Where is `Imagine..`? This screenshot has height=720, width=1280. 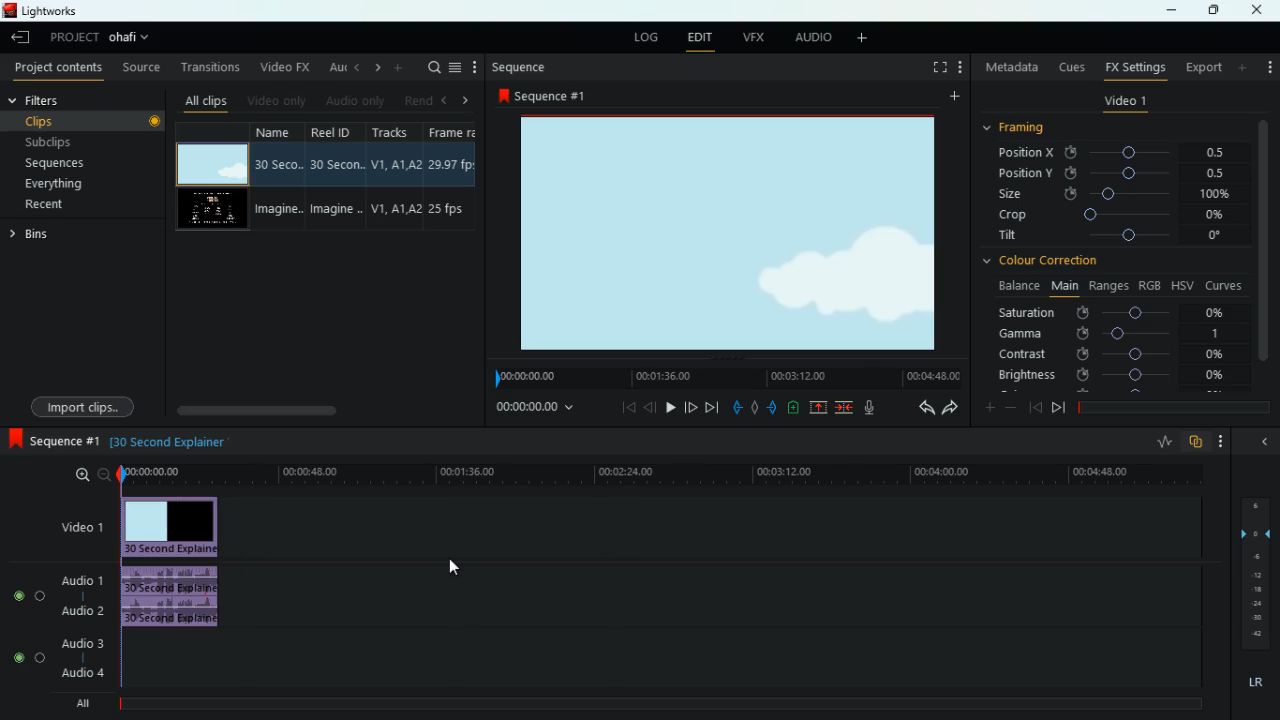
Imagine.. is located at coordinates (280, 210).